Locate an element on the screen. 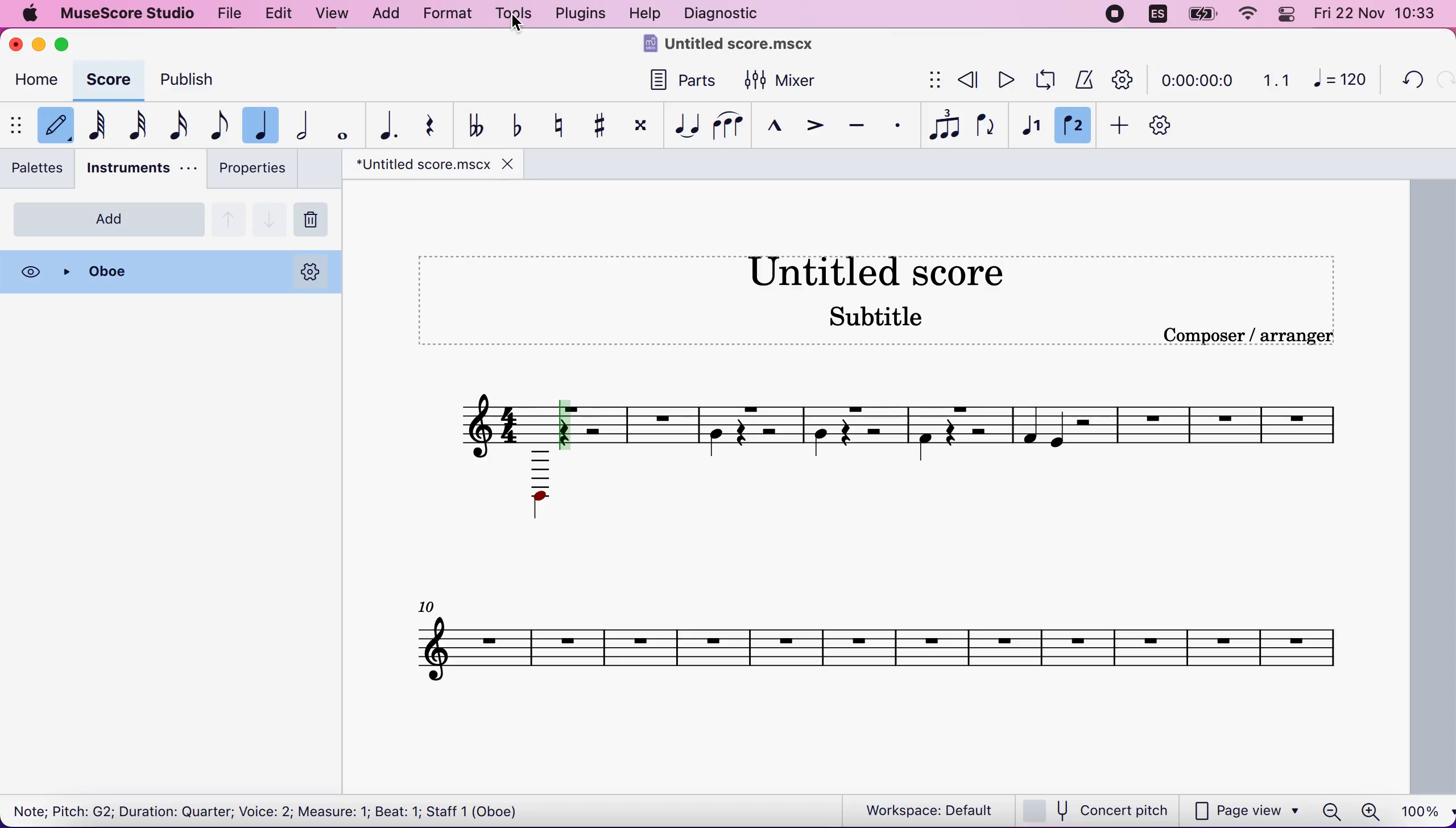 Image resolution: width=1456 pixels, height=828 pixels. rest is located at coordinates (438, 128).